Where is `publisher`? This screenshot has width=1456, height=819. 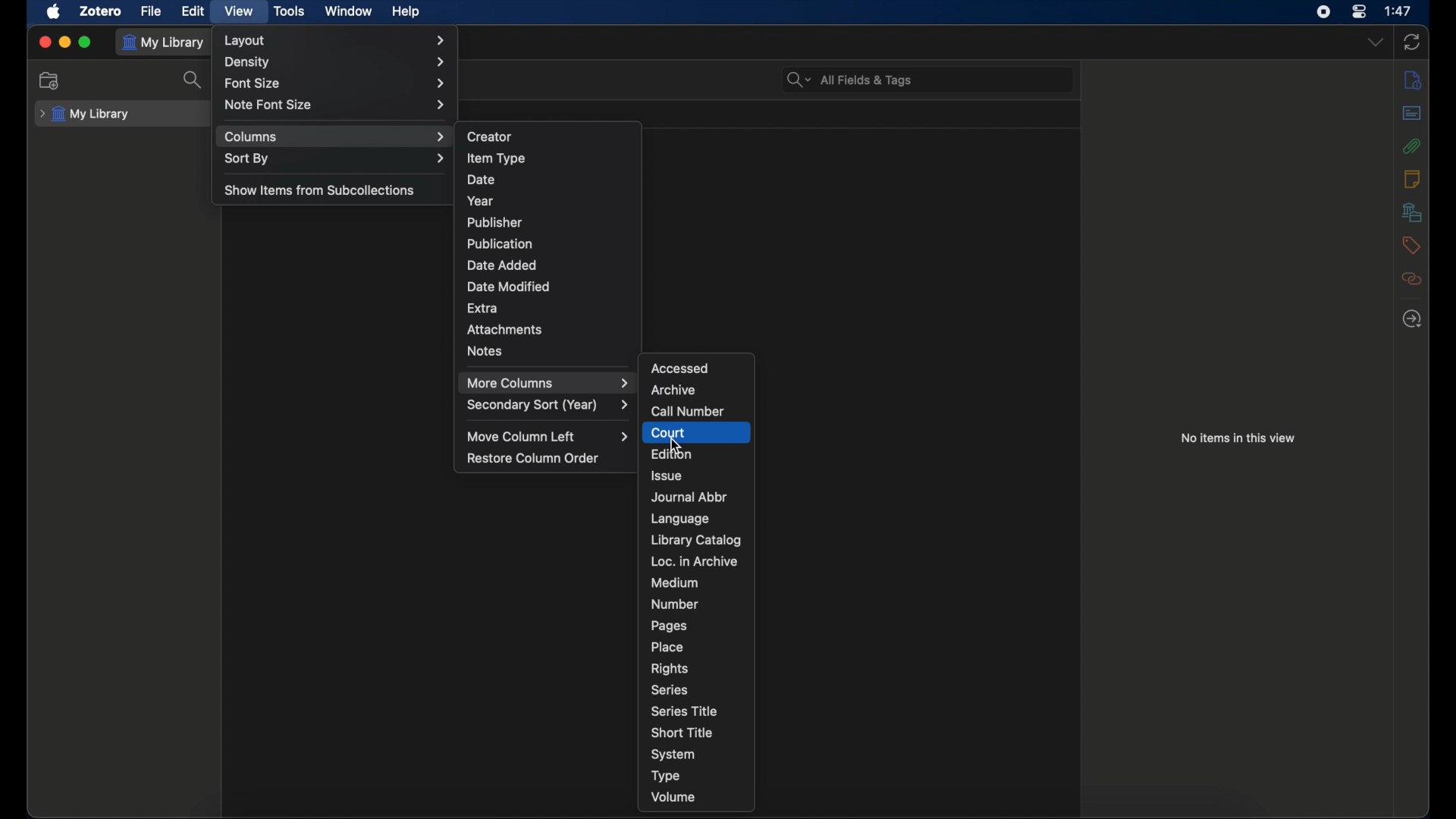
publisher is located at coordinates (493, 222).